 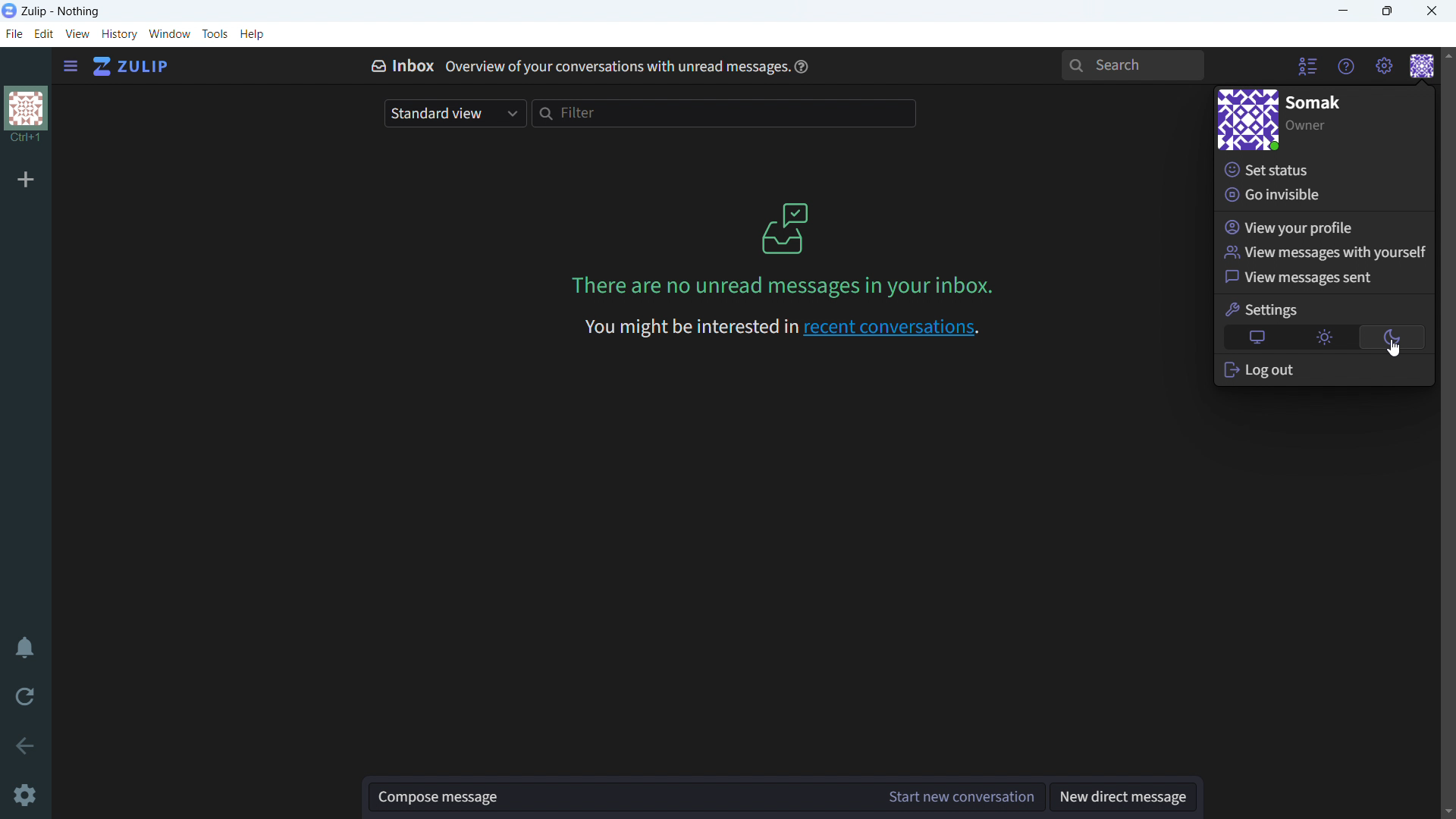 What do you see at coordinates (1423, 64) in the screenshot?
I see `personal menu` at bounding box center [1423, 64].